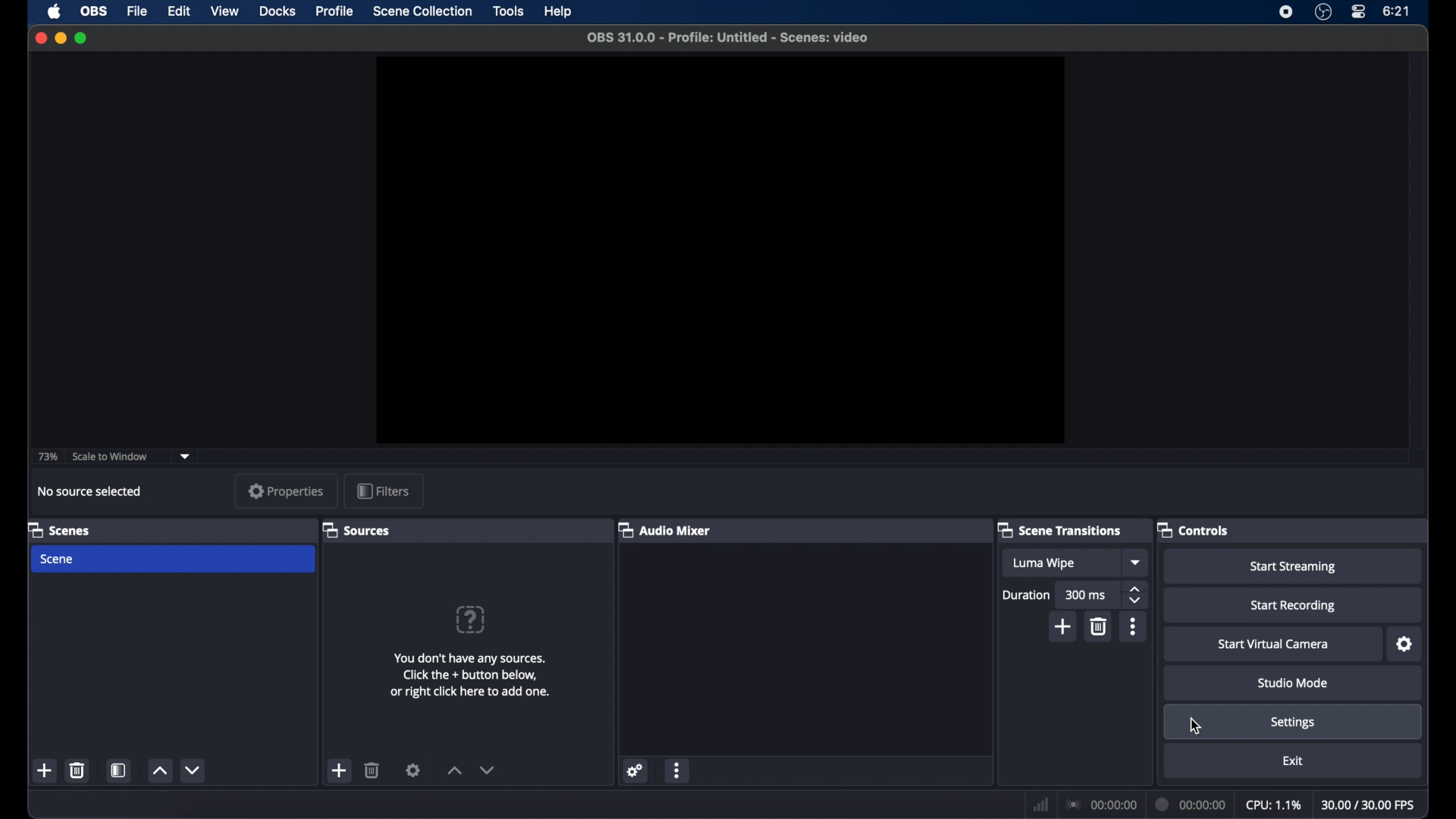  What do you see at coordinates (1194, 529) in the screenshot?
I see `controls` at bounding box center [1194, 529].